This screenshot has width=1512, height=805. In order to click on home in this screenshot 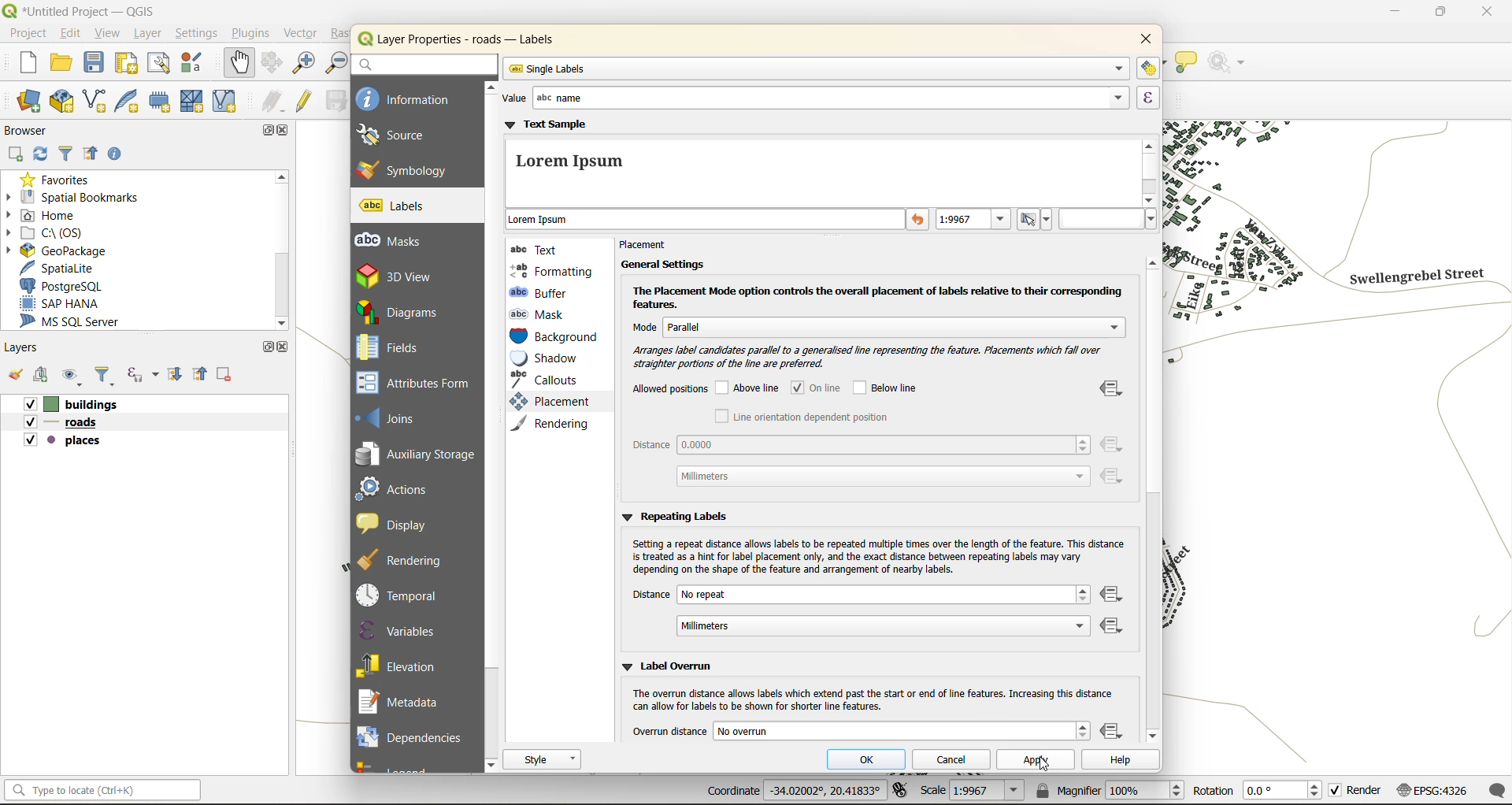, I will do `click(50, 215)`.